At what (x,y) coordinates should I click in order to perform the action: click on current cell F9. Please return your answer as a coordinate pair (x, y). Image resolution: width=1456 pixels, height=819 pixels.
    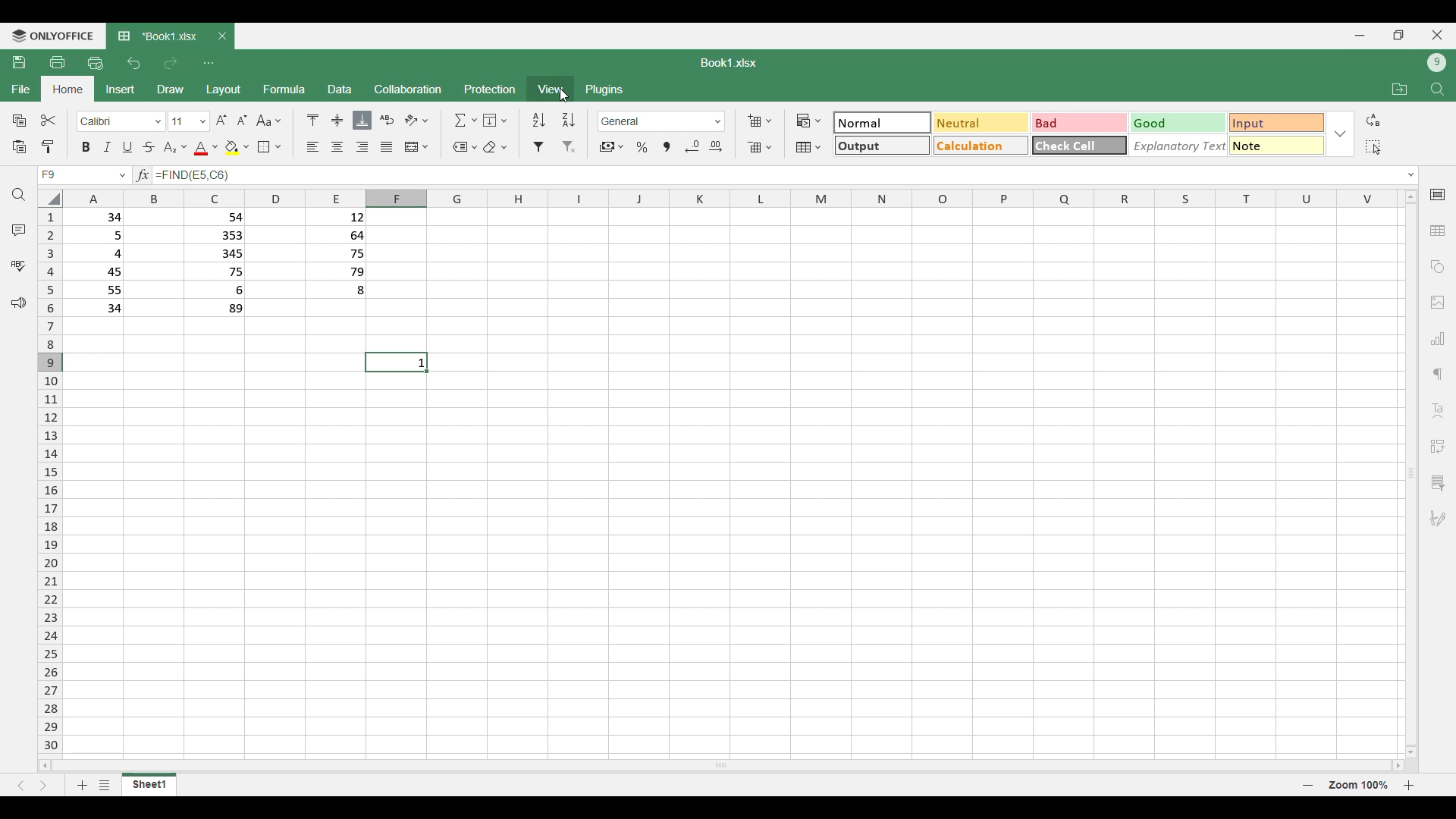
    Looking at the image, I should click on (86, 175).